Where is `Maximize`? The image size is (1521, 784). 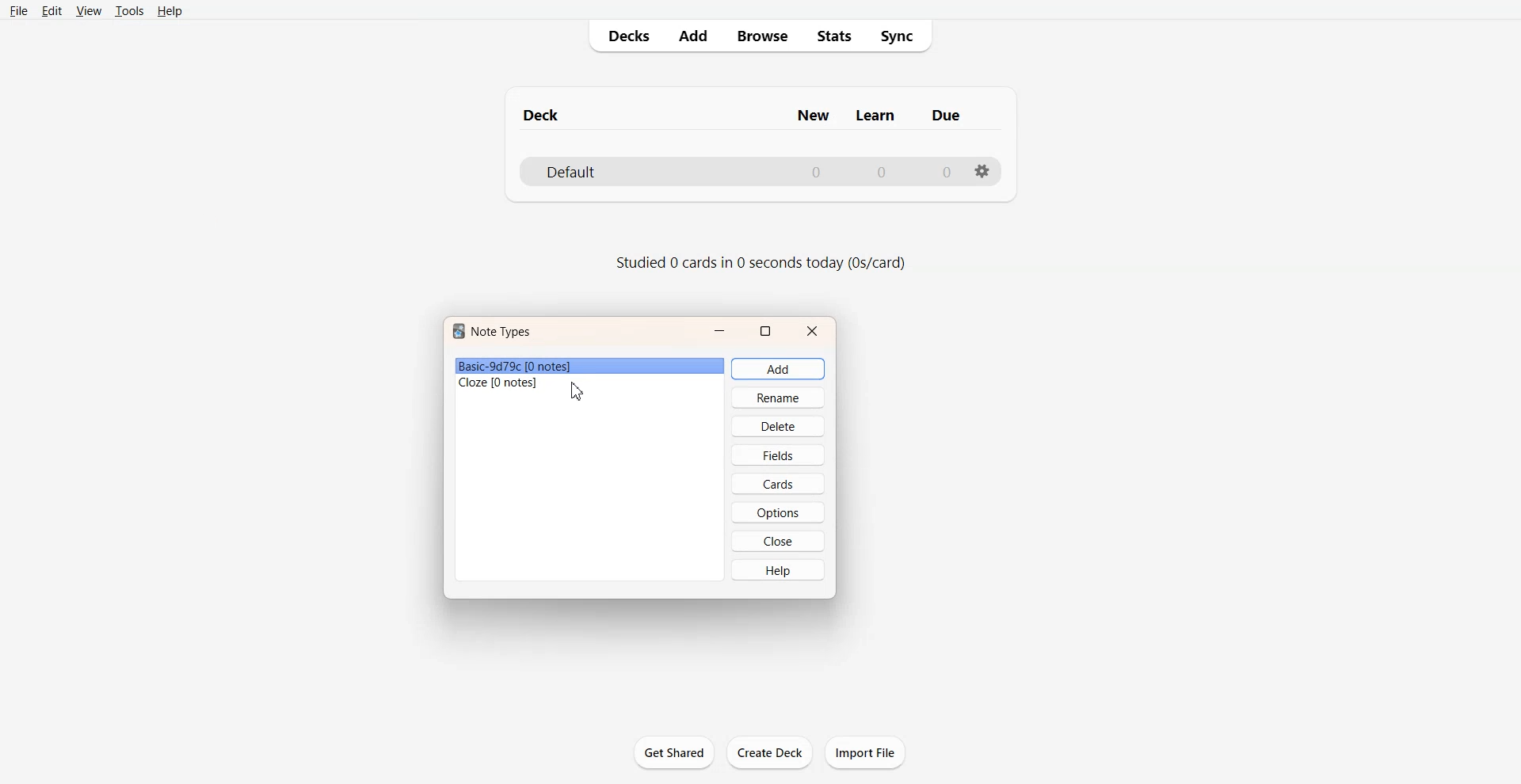
Maximize is located at coordinates (765, 332).